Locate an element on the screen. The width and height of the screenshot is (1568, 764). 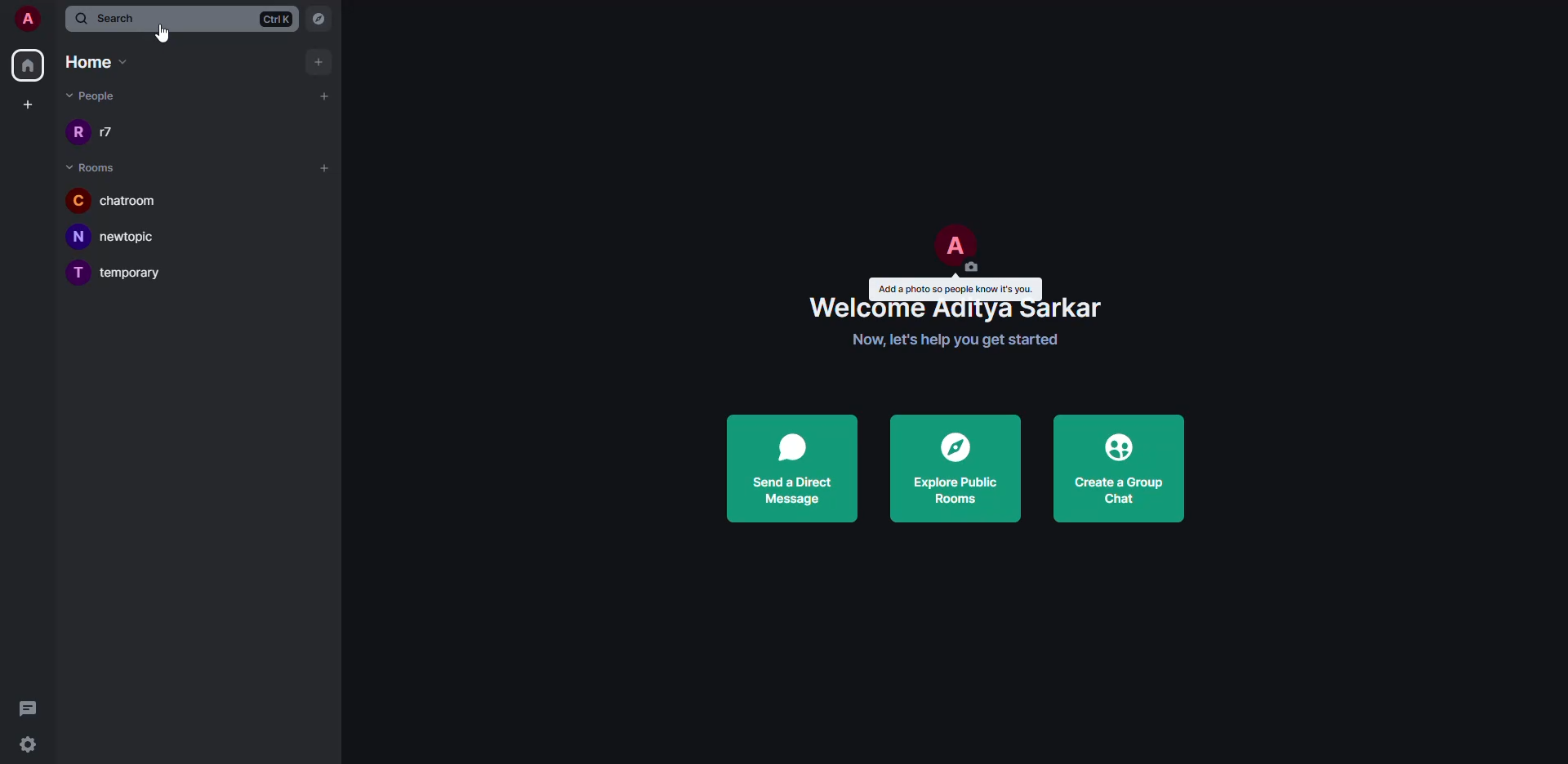
welcome is located at coordinates (962, 309).